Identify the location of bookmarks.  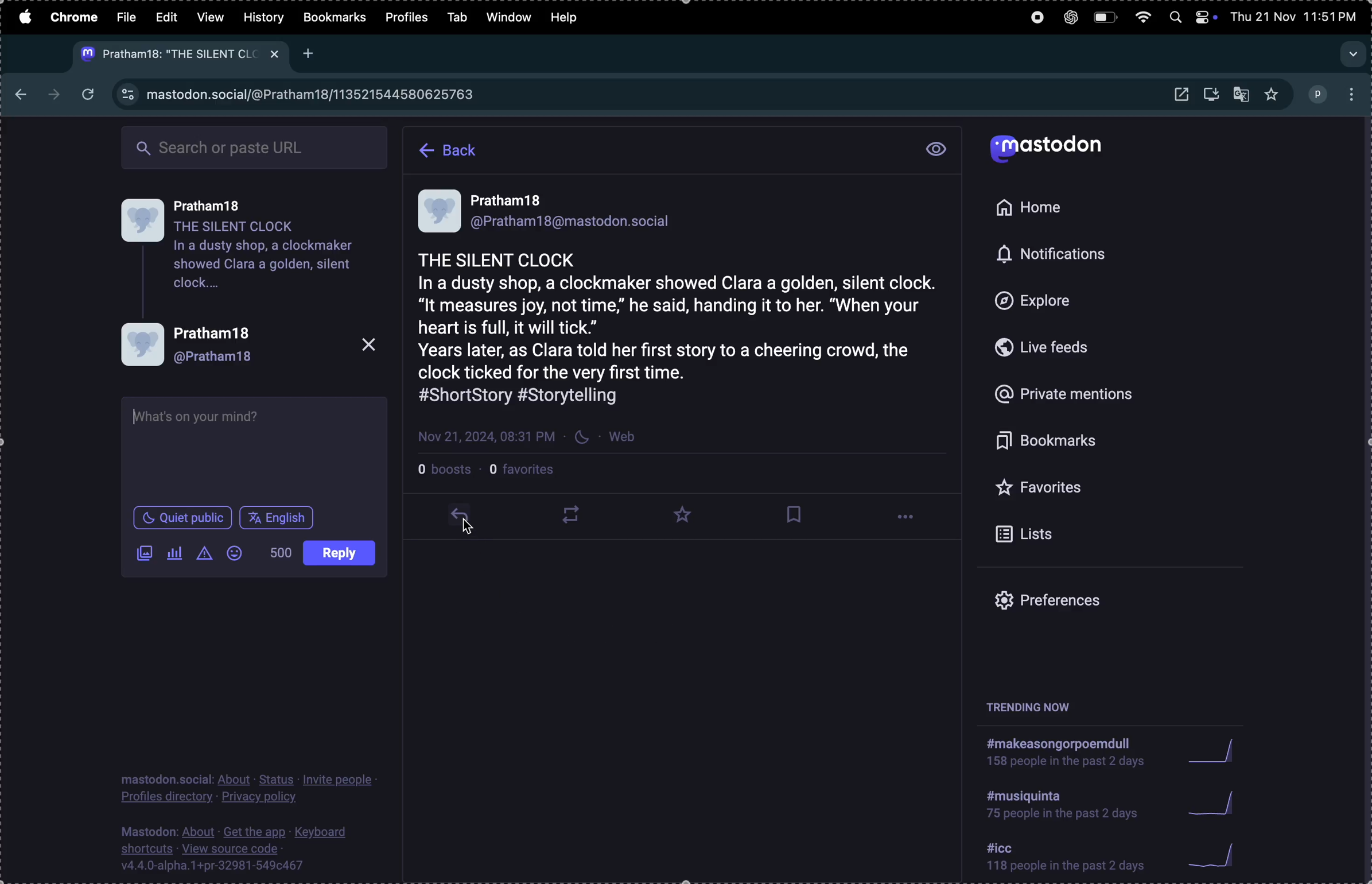
(334, 19).